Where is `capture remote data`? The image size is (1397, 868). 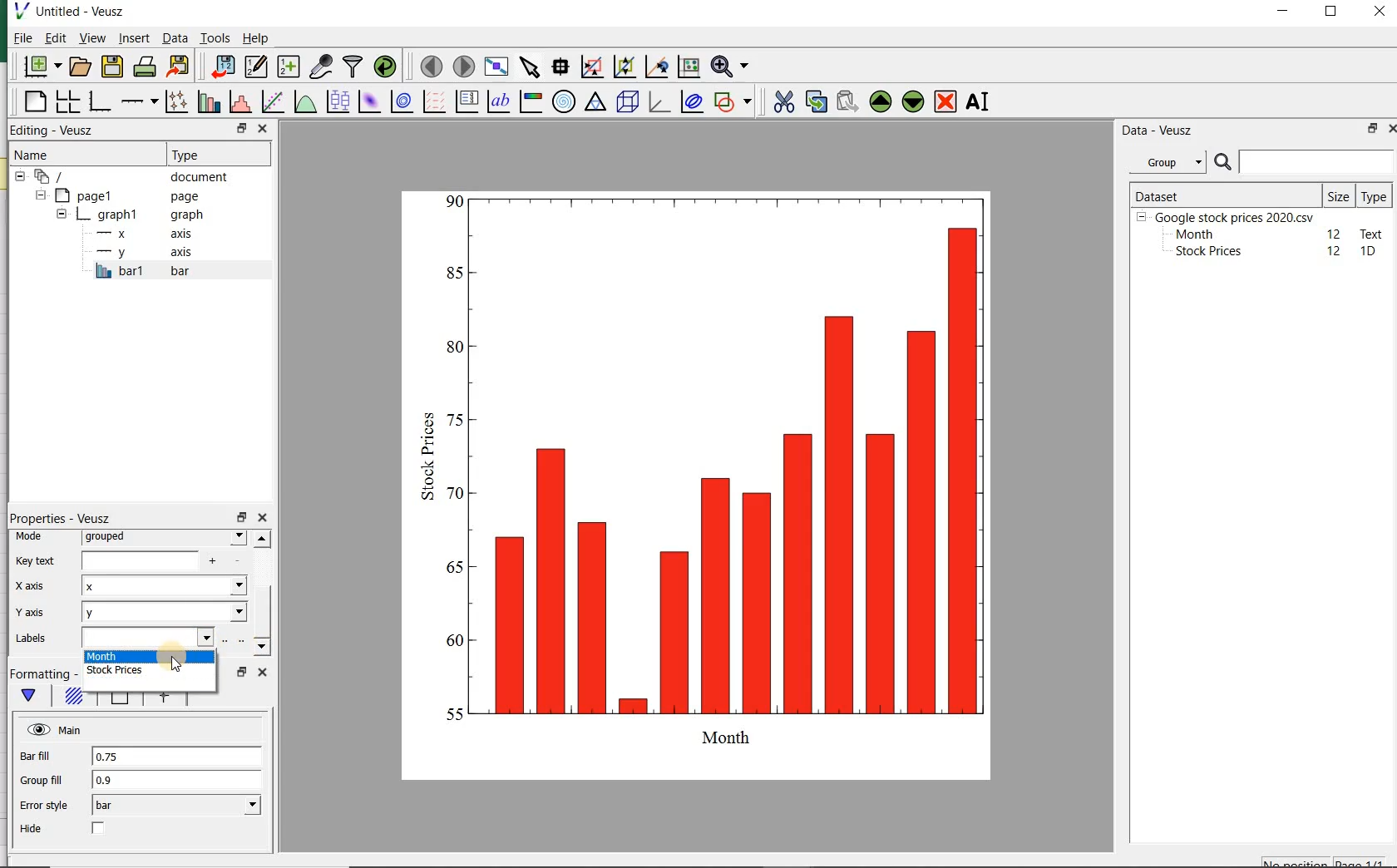 capture remote data is located at coordinates (321, 67).